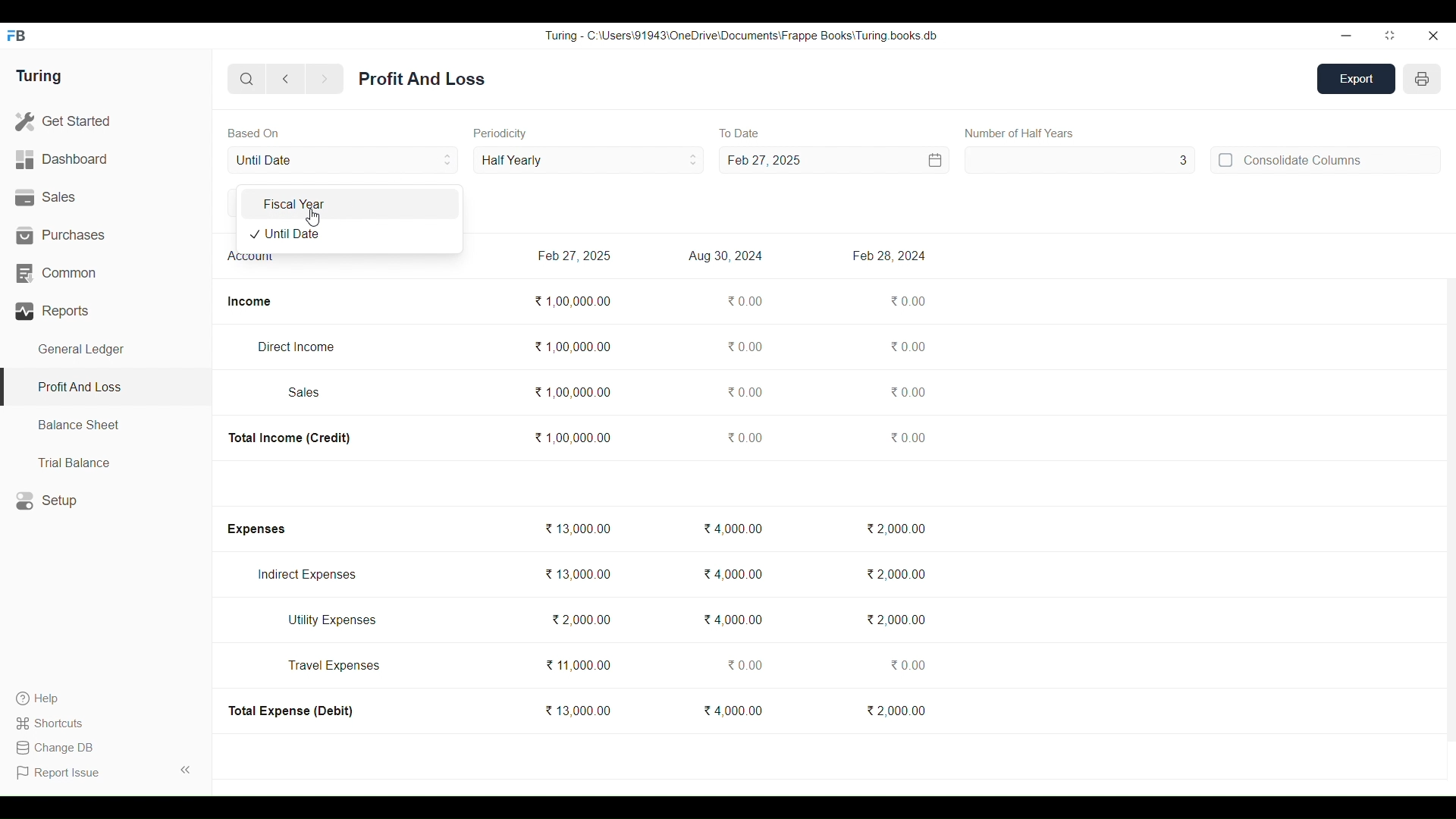 The image size is (1456, 819). Describe the element at coordinates (255, 529) in the screenshot. I see `Expenses` at that location.